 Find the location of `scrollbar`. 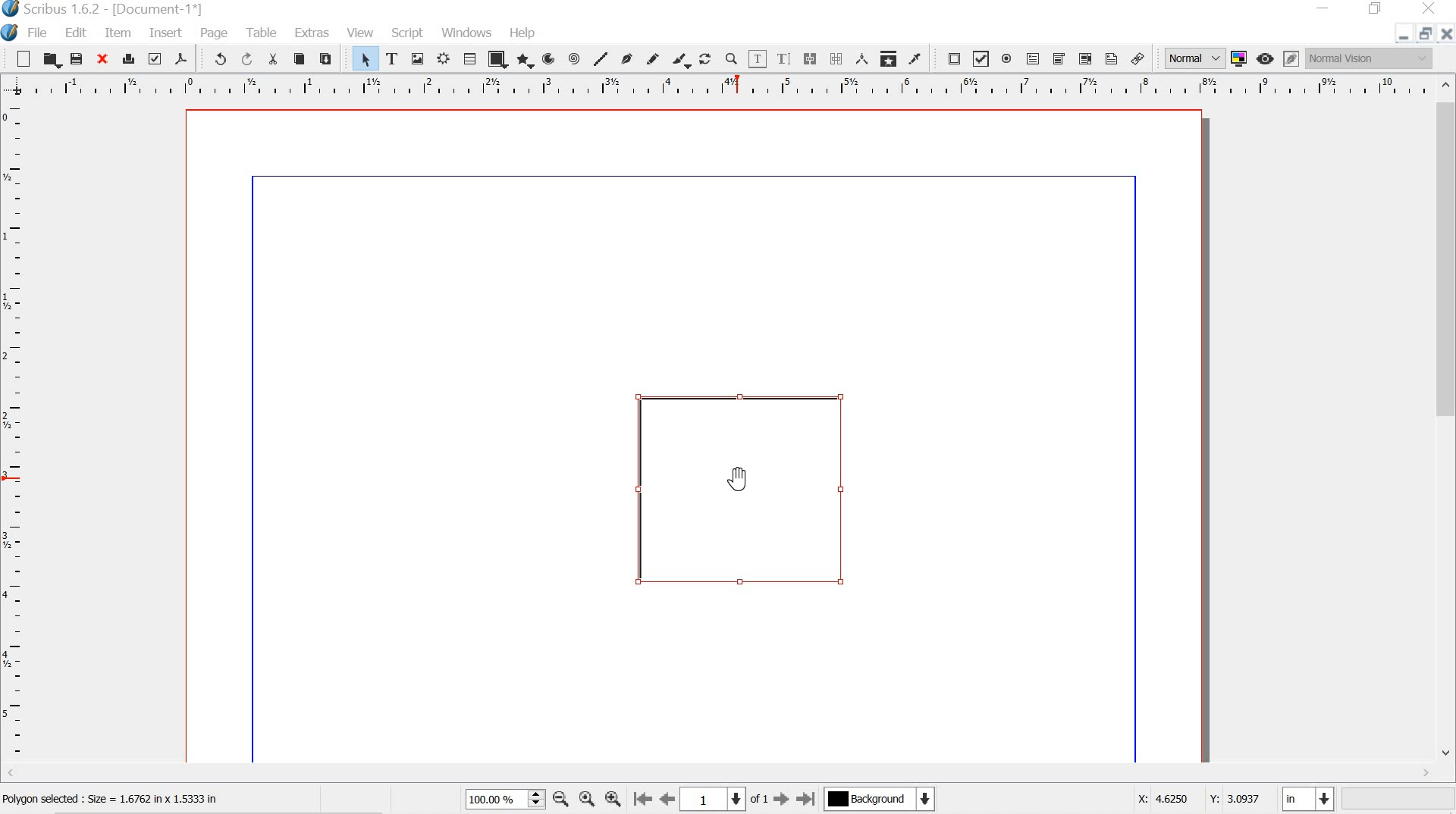

scrollbar is located at coordinates (1447, 418).